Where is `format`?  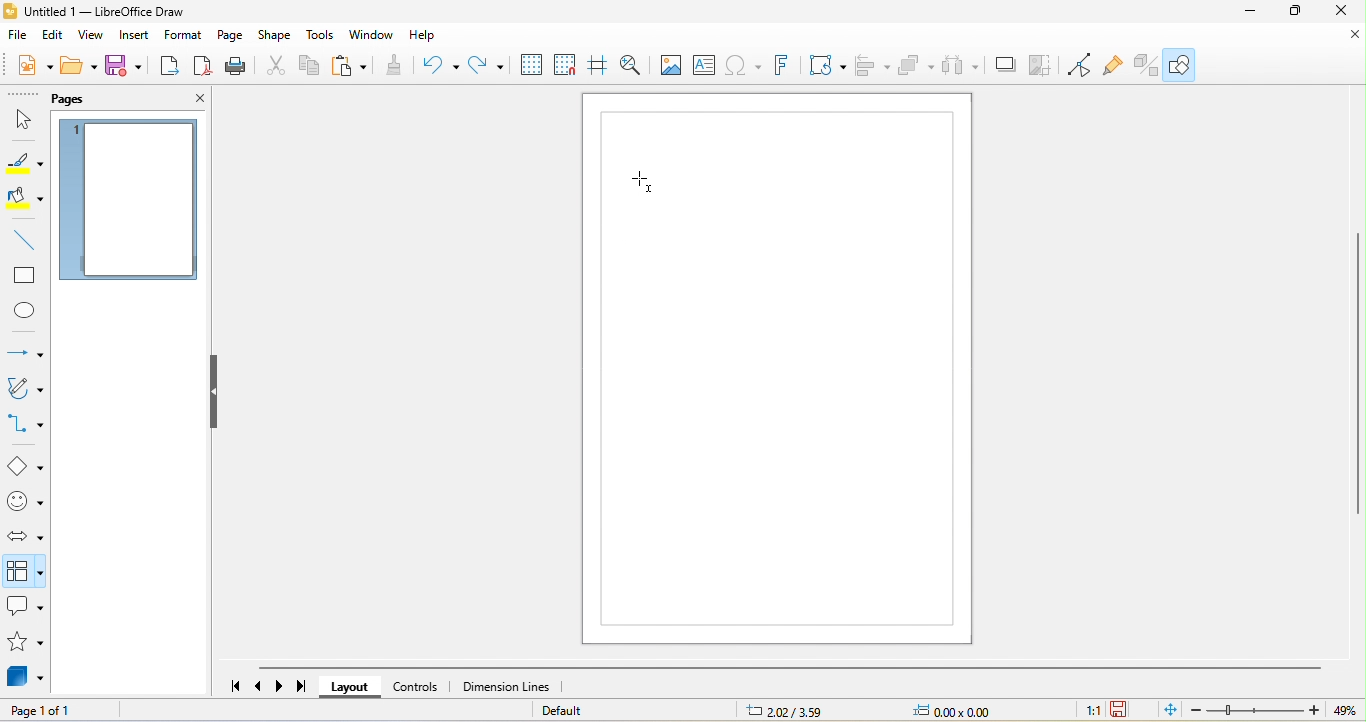
format is located at coordinates (186, 36).